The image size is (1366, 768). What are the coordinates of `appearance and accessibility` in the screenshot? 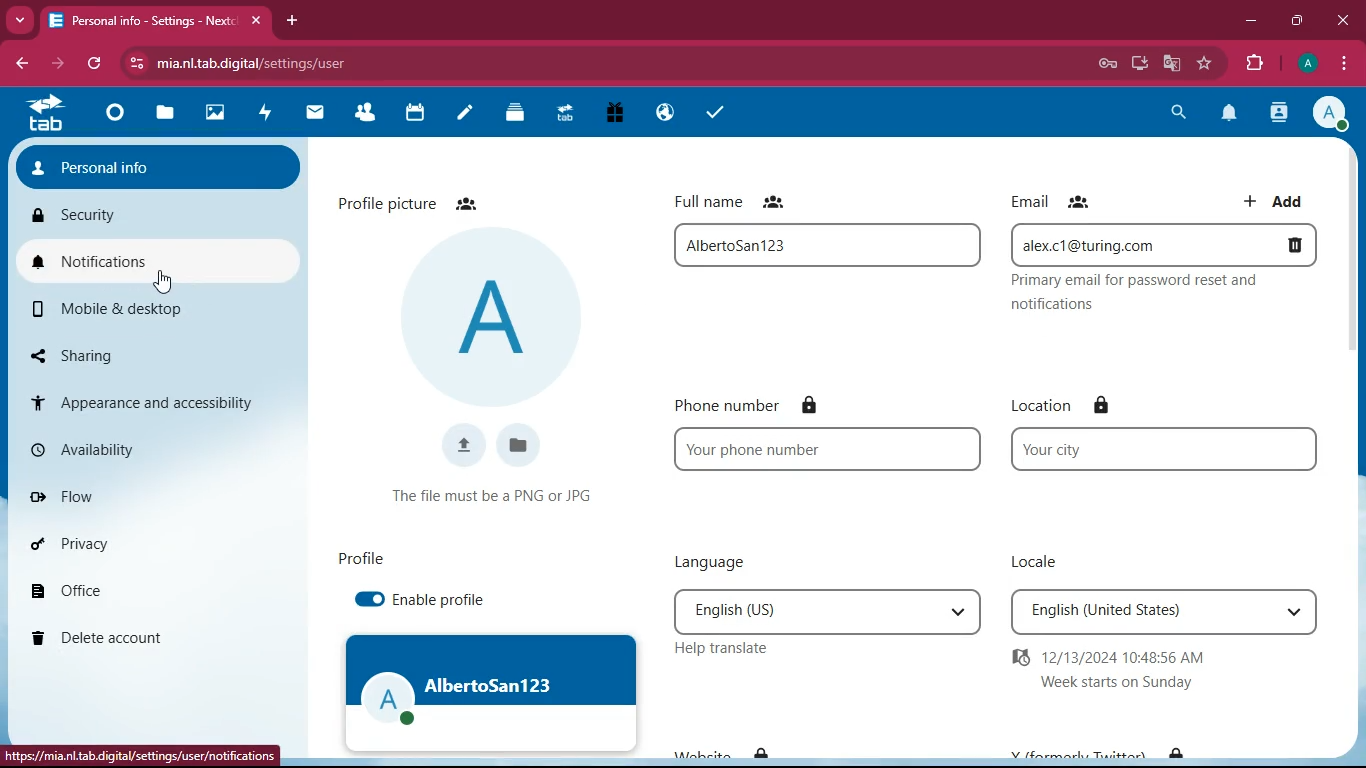 It's located at (156, 403).